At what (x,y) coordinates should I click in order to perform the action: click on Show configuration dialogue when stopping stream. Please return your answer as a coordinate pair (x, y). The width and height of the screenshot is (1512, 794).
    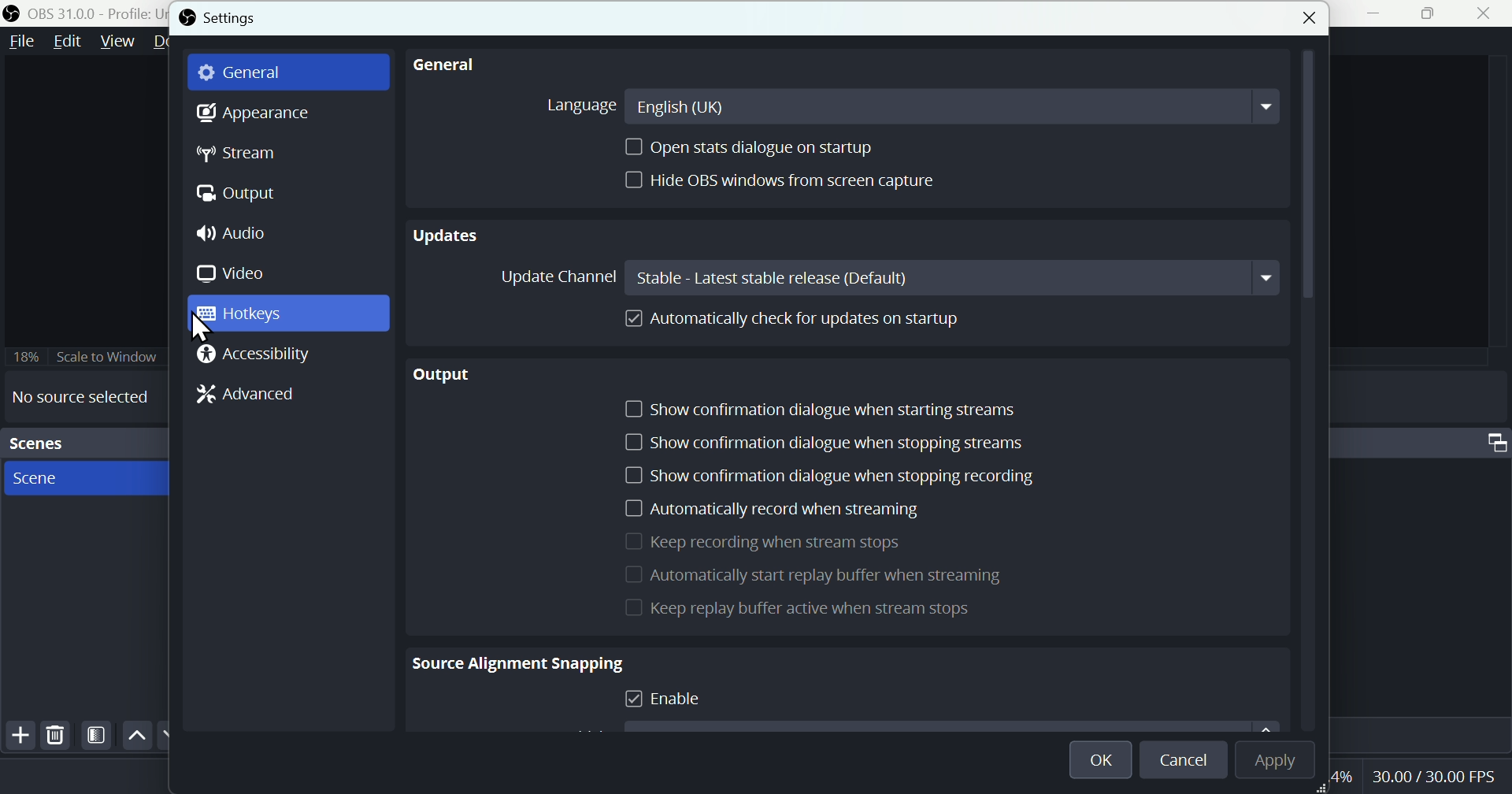
    Looking at the image, I should click on (821, 440).